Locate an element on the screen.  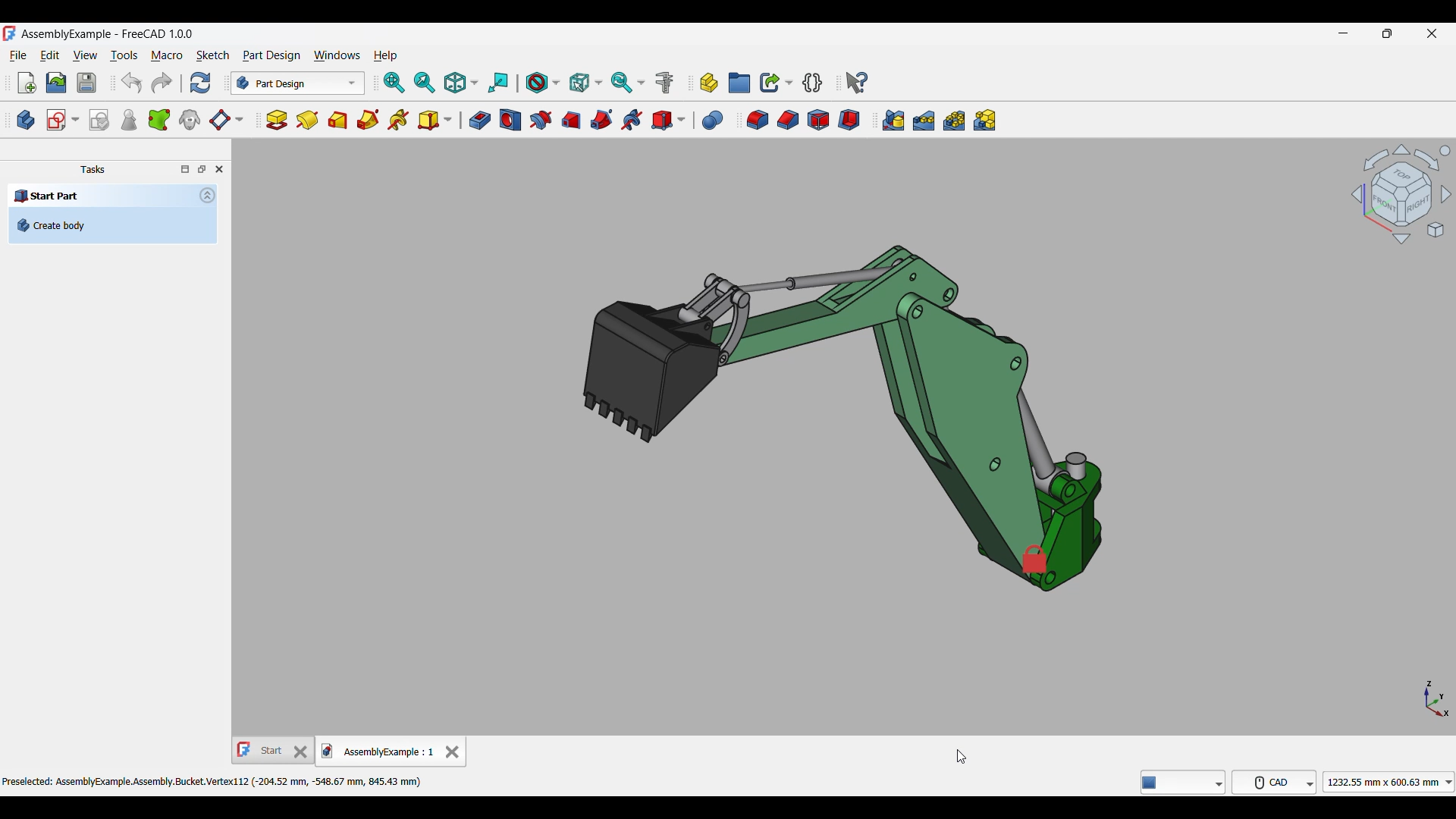
Preselected: AssemblyExample.Assembly.Bucket.Vertex112 (-204.52 mm, -548.67 mm, 845.43 mm) is located at coordinates (215, 781).